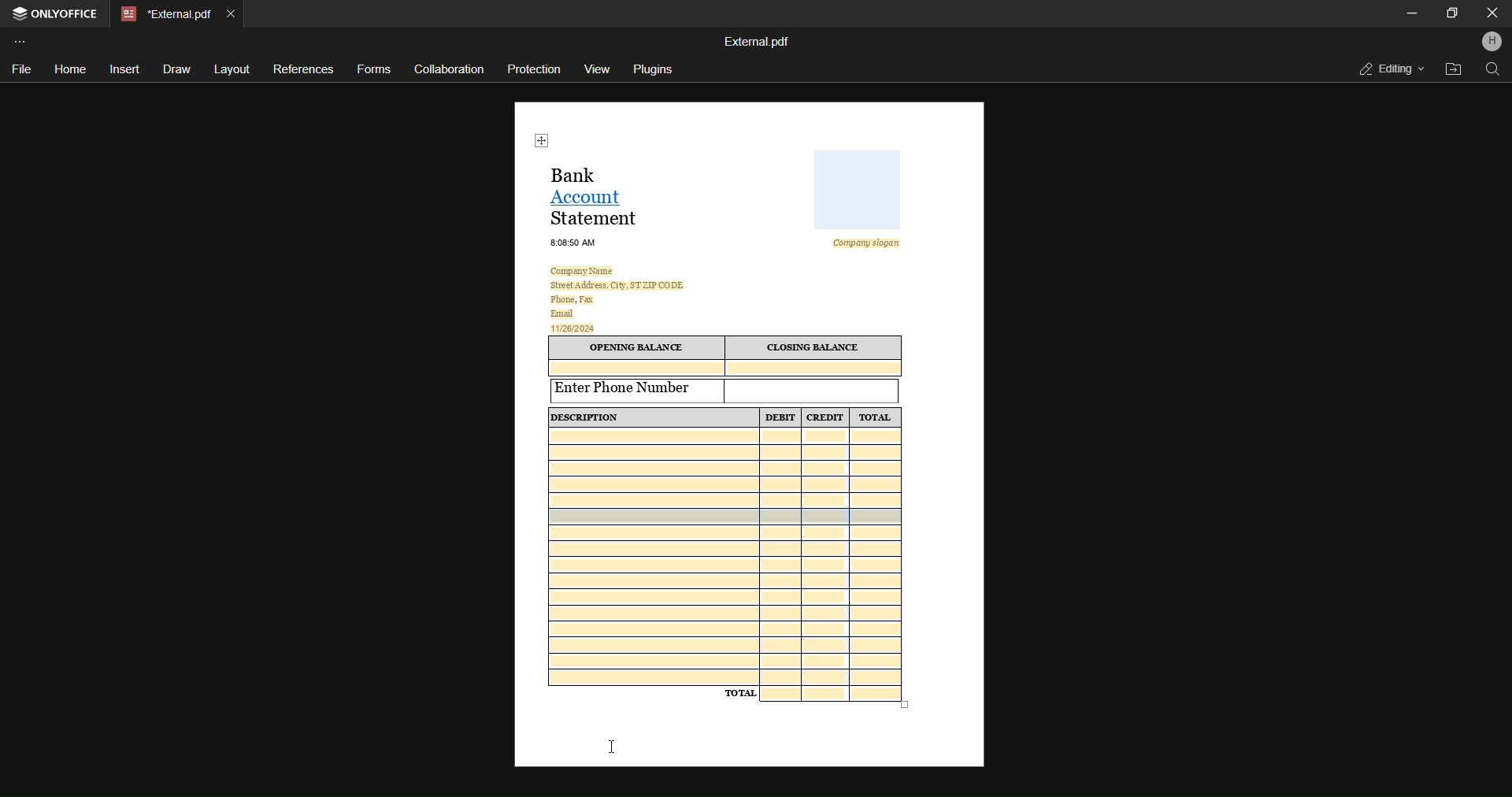 This screenshot has height=797, width=1512. Describe the element at coordinates (575, 327) in the screenshot. I see `11/26/2024` at that location.